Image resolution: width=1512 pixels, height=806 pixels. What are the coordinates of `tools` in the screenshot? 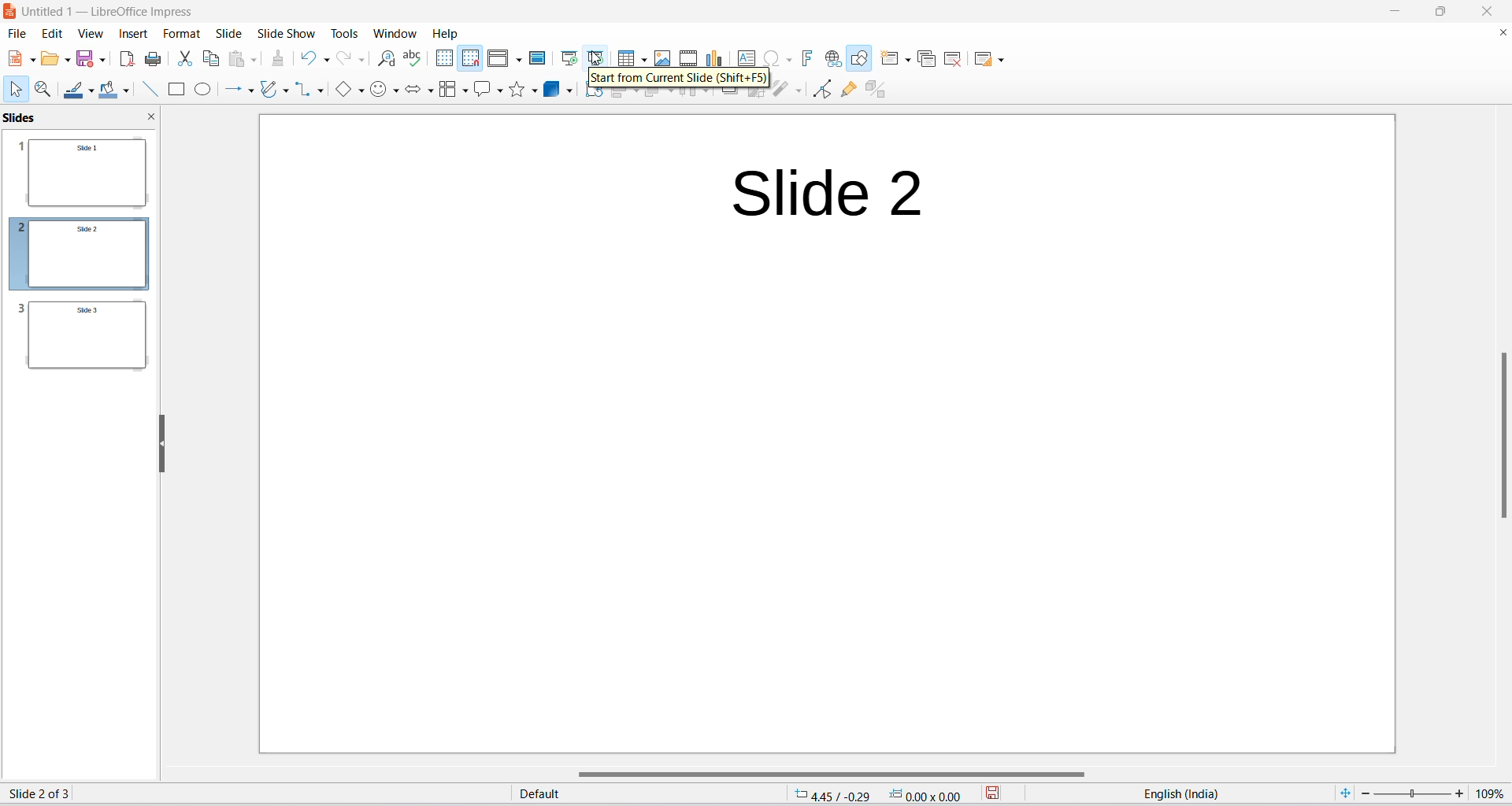 It's located at (346, 31).